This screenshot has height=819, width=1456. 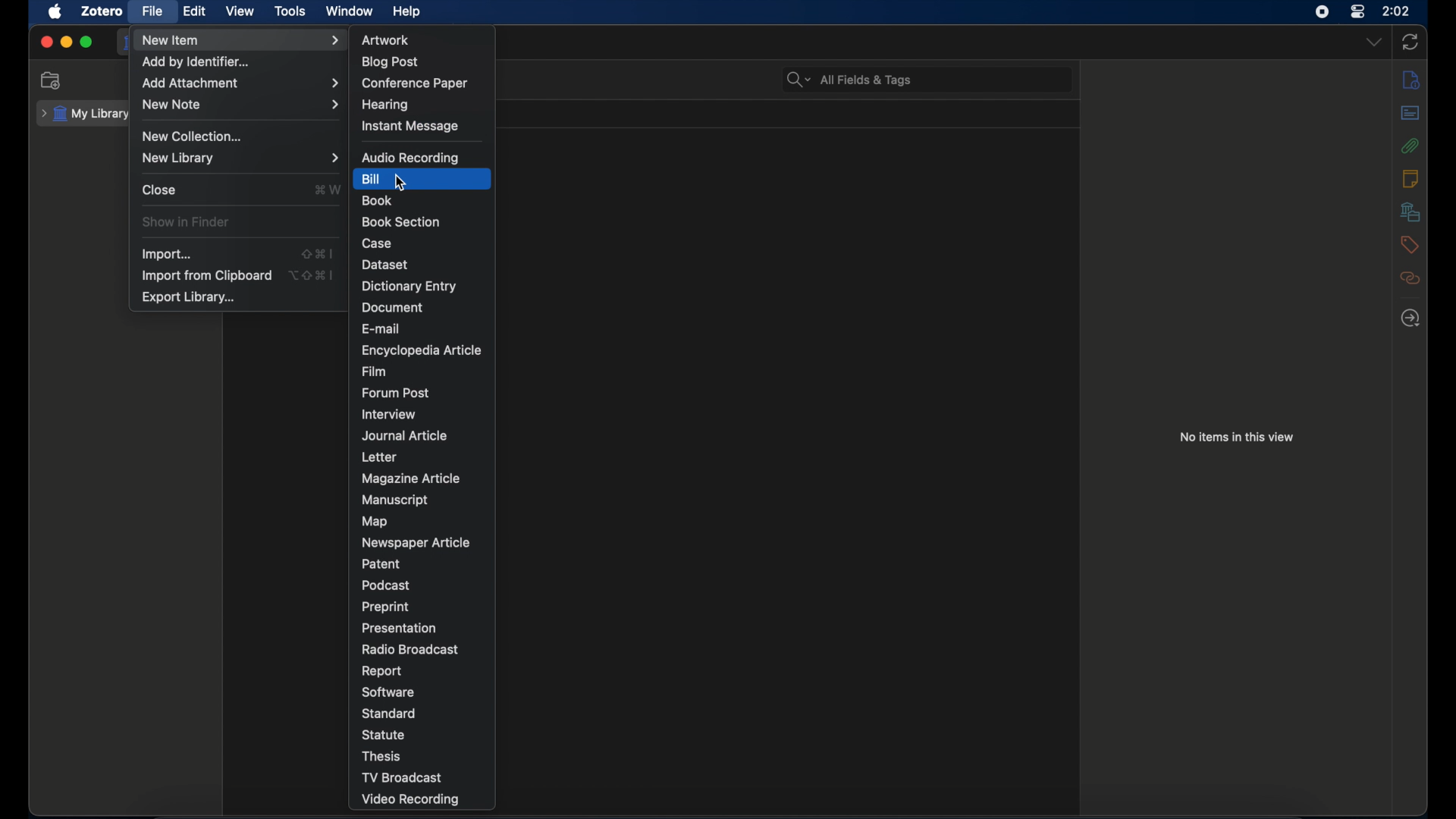 What do you see at coordinates (406, 436) in the screenshot?
I see `journal article` at bounding box center [406, 436].